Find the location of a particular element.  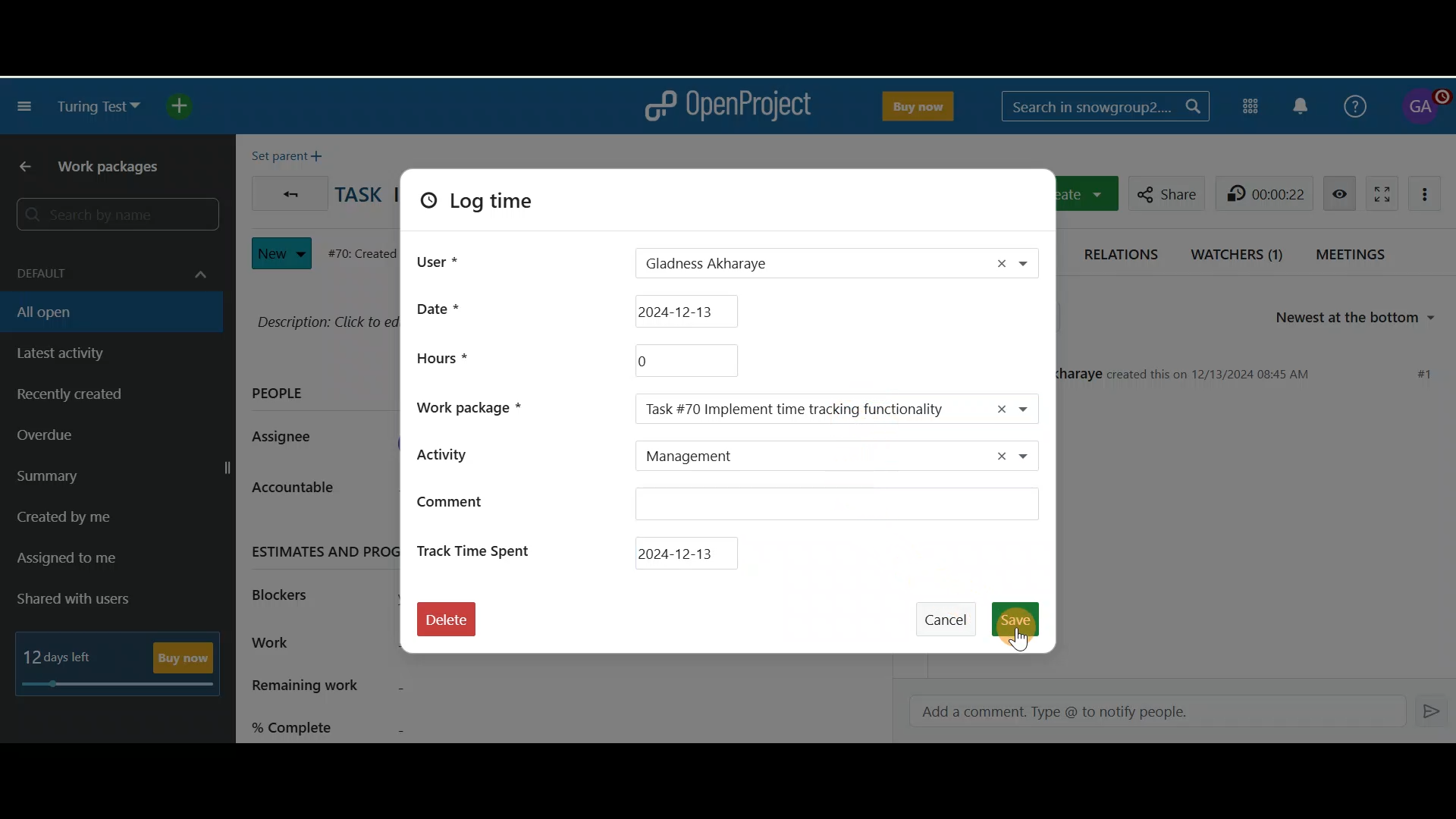

New is located at coordinates (281, 249).